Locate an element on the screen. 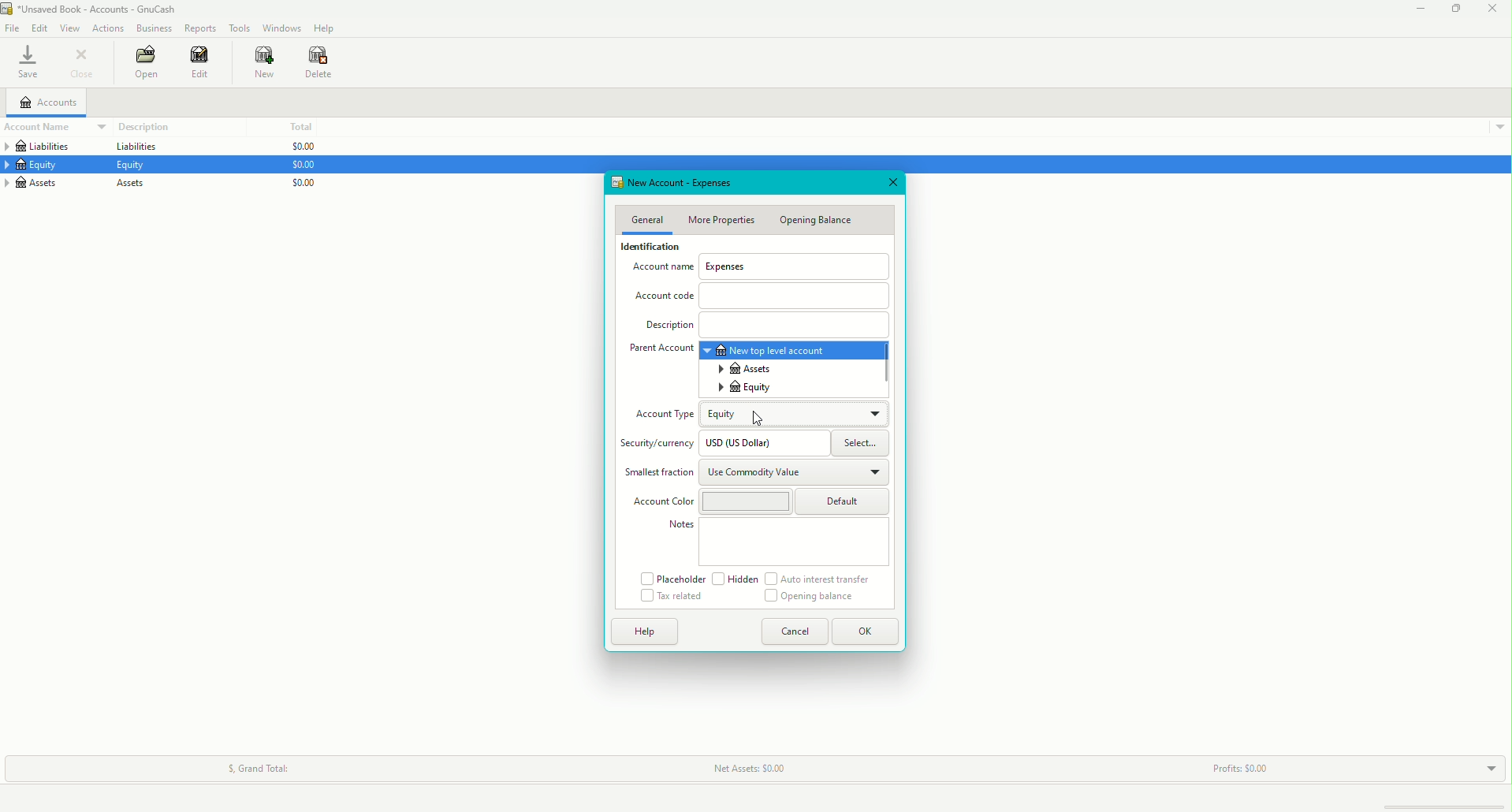  Account Color is located at coordinates (709, 502).